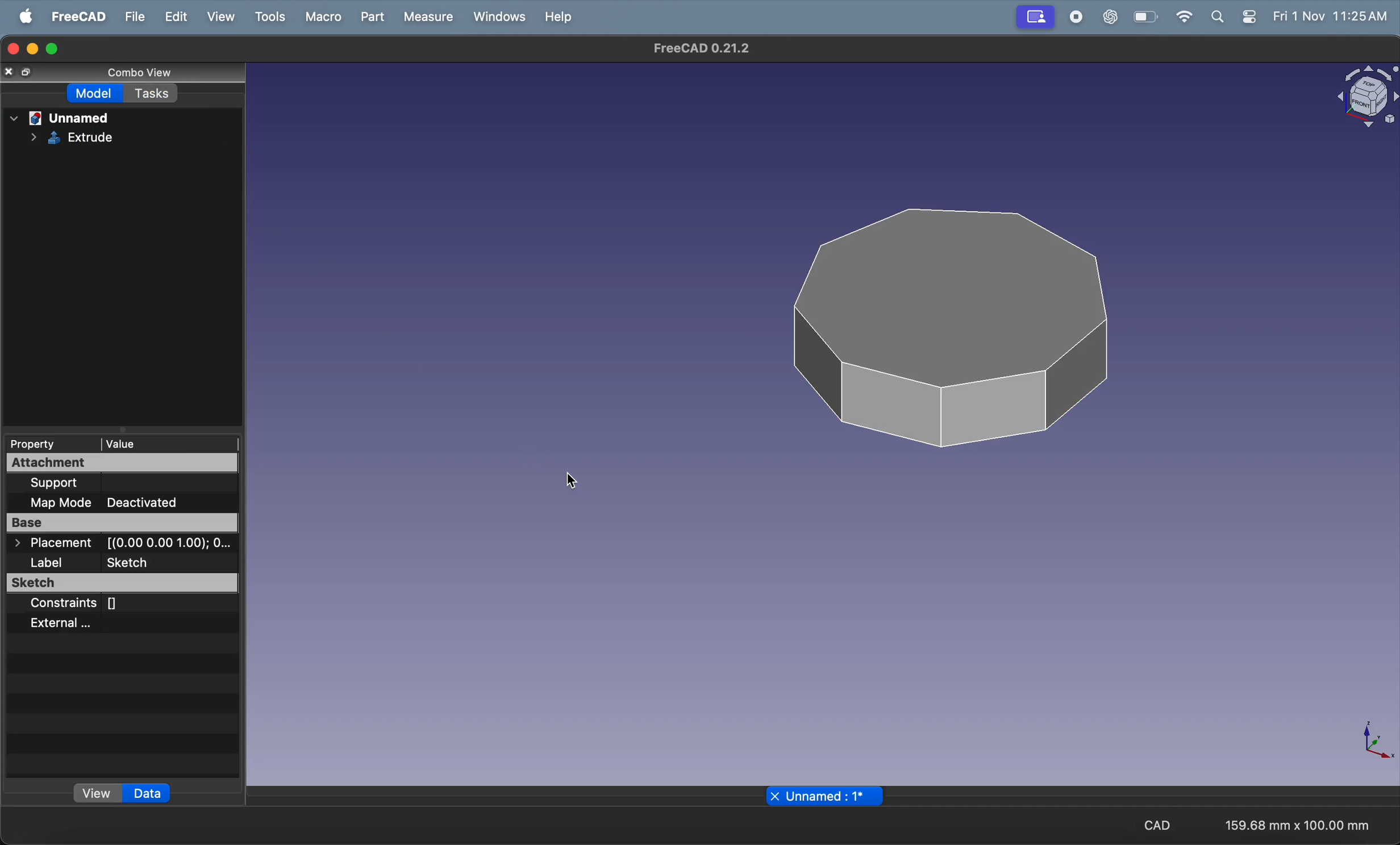  Describe the element at coordinates (60, 502) in the screenshot. I see `map mode` at that location.